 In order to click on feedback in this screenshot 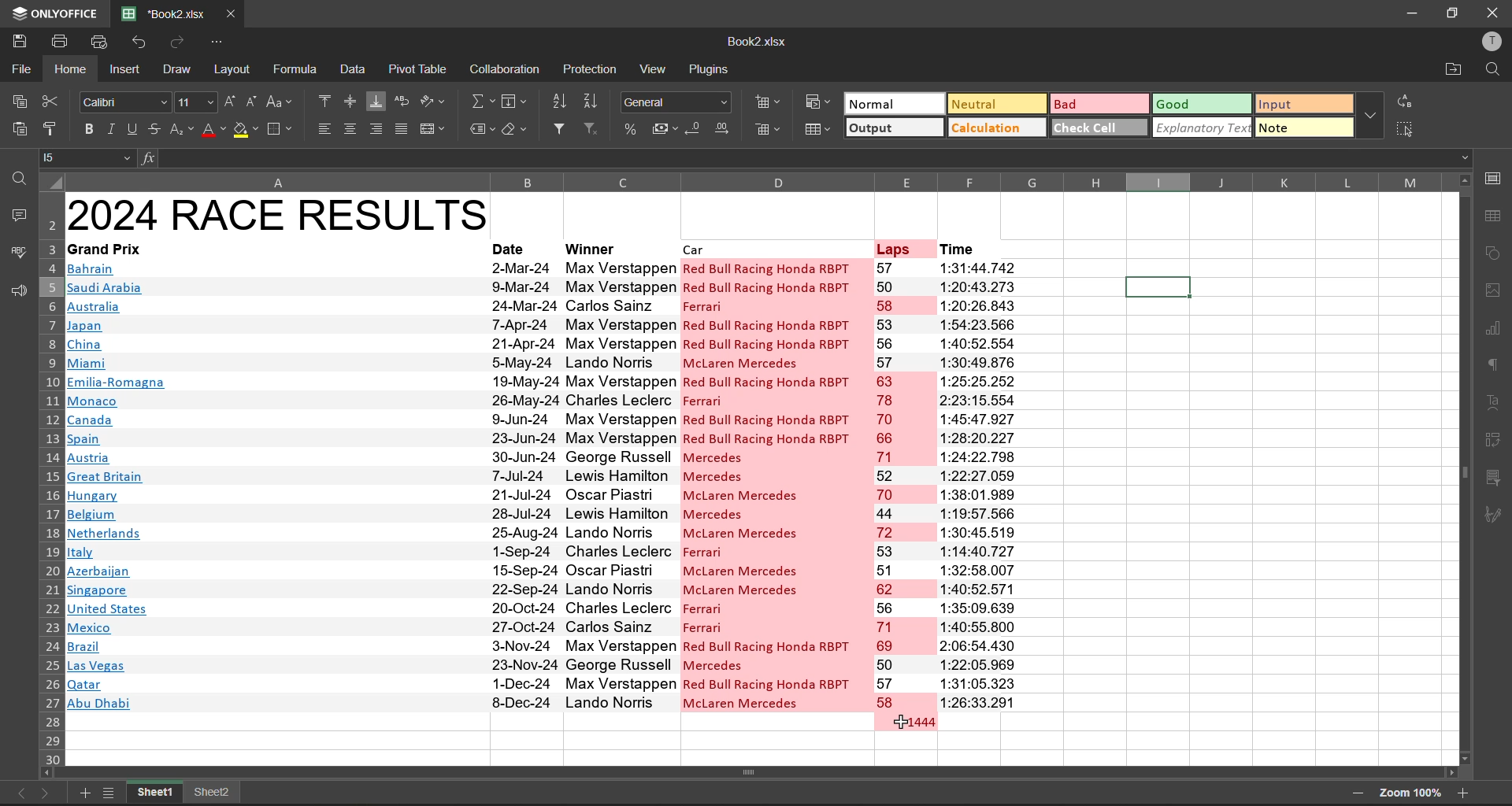, I will do `click(16, 290)`.